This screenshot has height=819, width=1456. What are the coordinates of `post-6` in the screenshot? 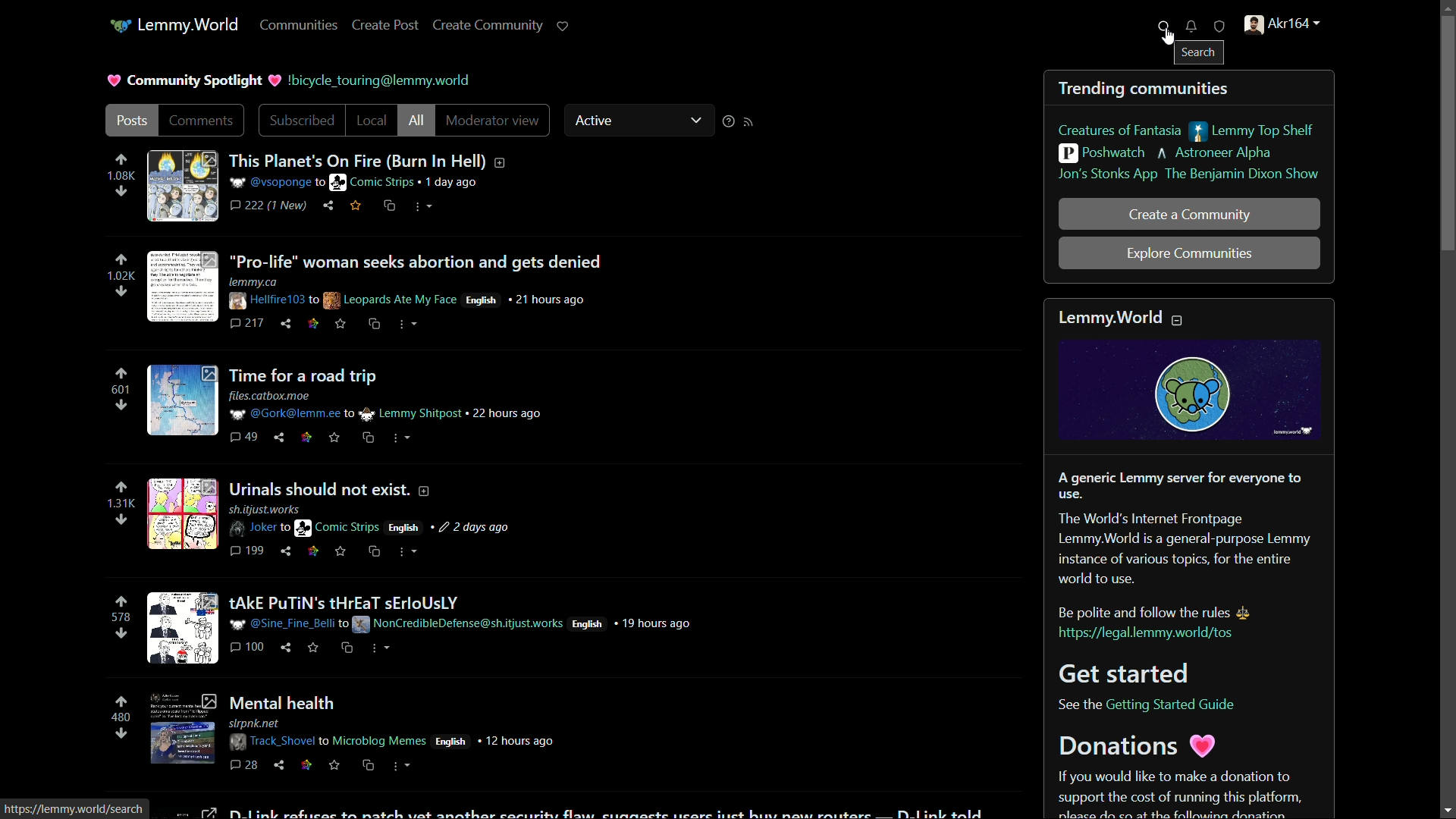 It's located at (350, 729).